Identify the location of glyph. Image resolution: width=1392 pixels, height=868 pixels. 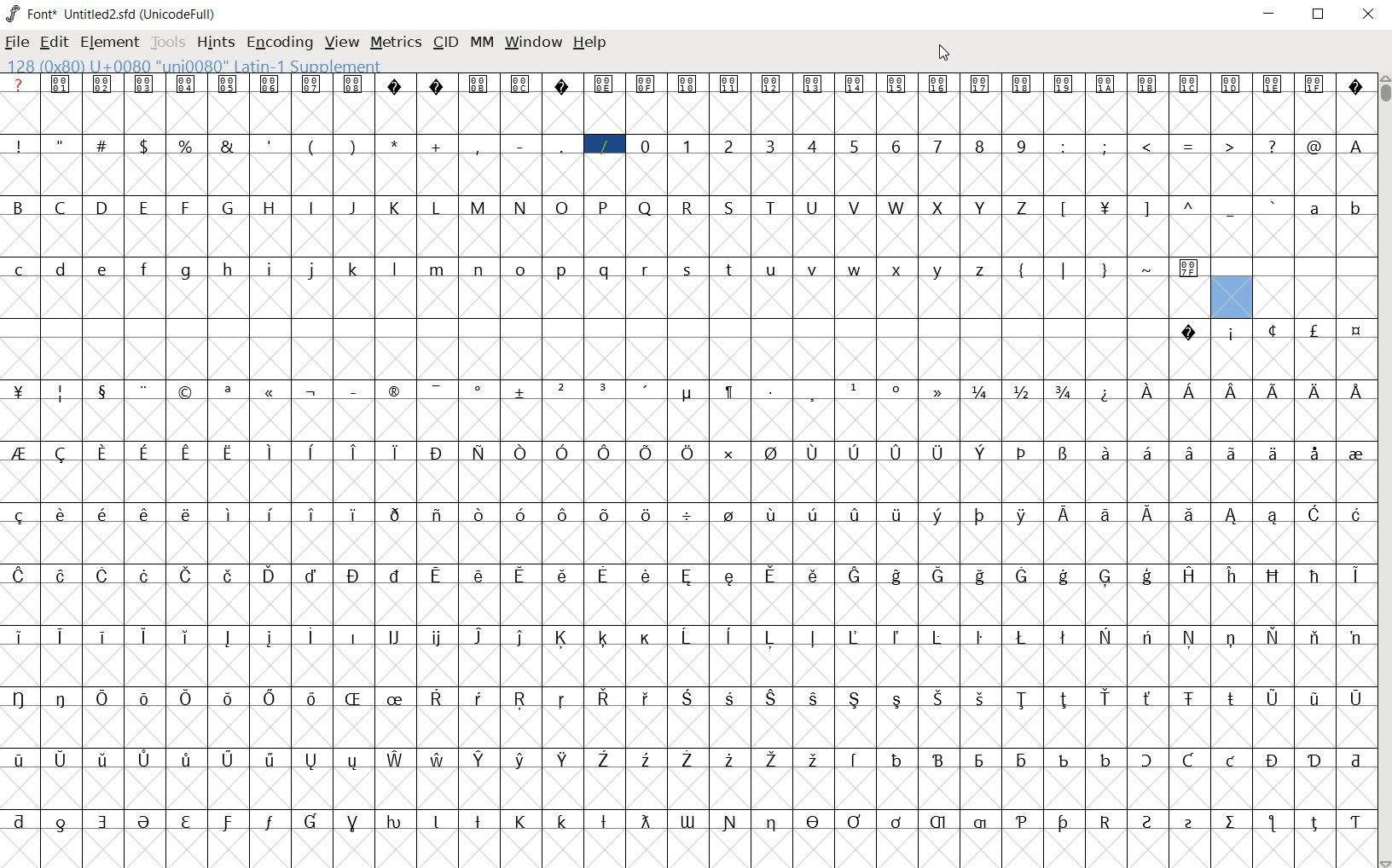
(101, 636).